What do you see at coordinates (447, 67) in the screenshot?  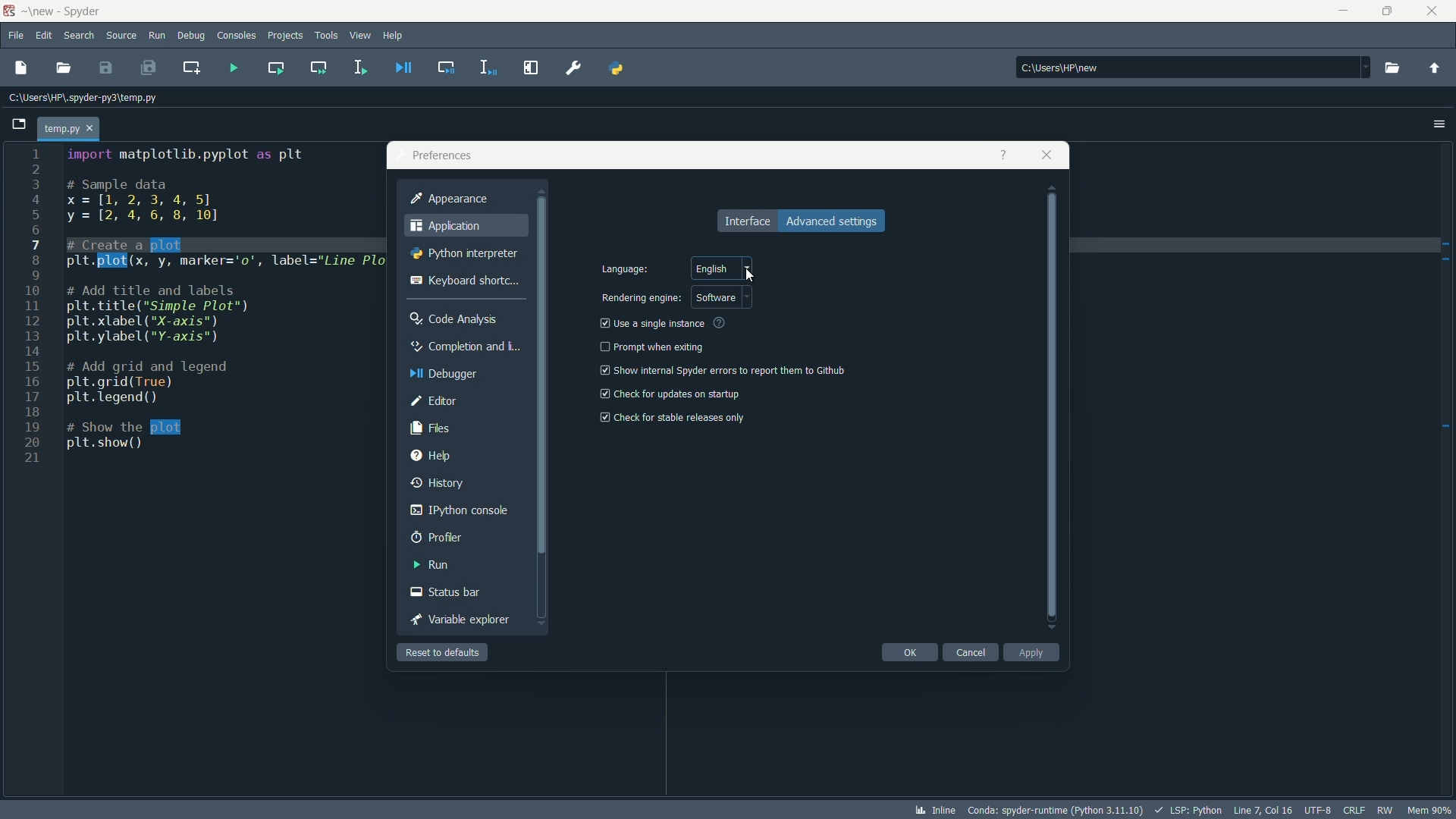 I see `debug cell` at bounding box center [447, 67].